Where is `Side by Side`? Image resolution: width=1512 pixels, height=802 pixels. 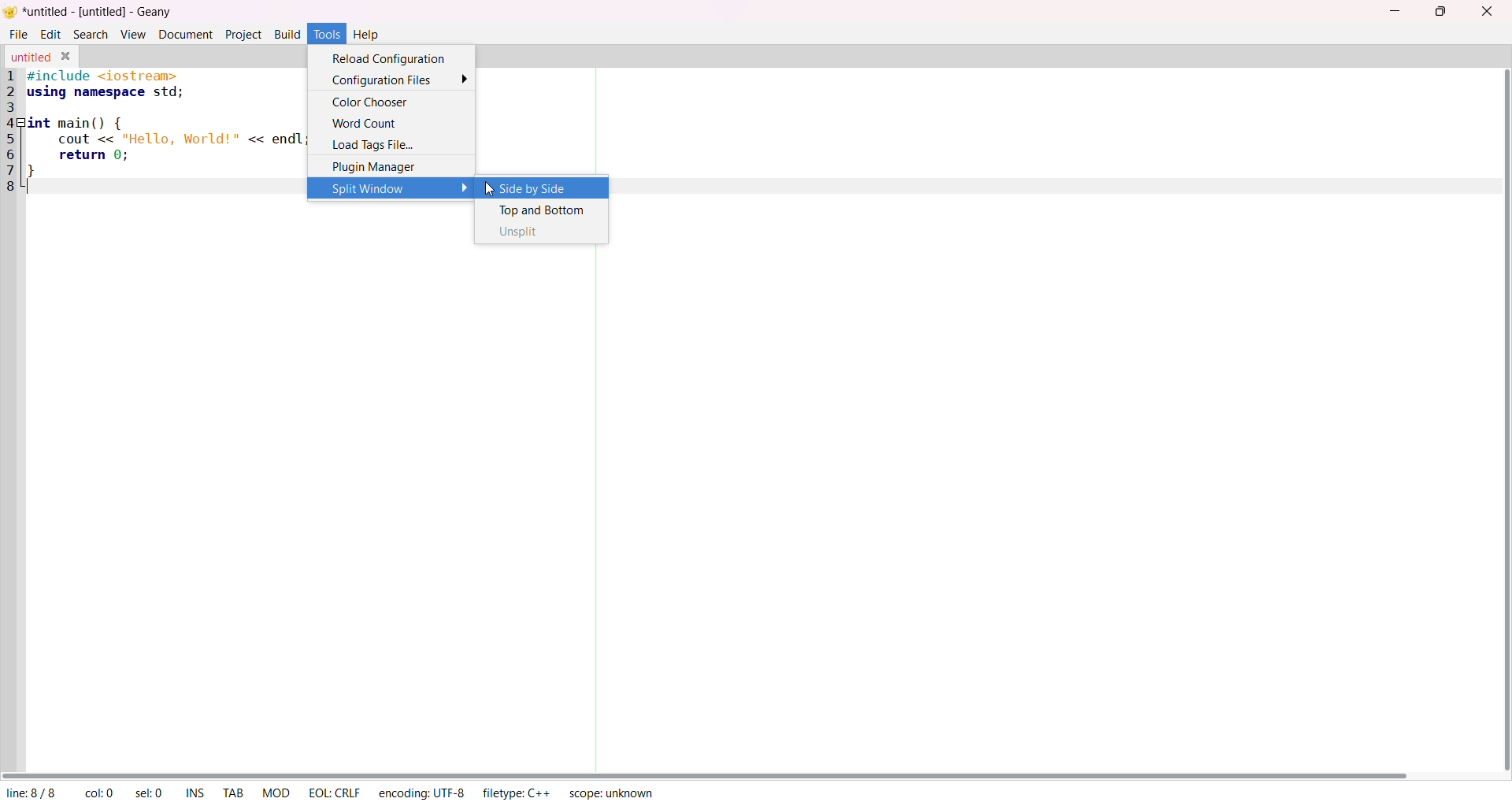
Side by Side is located at coordinates (535, 189).